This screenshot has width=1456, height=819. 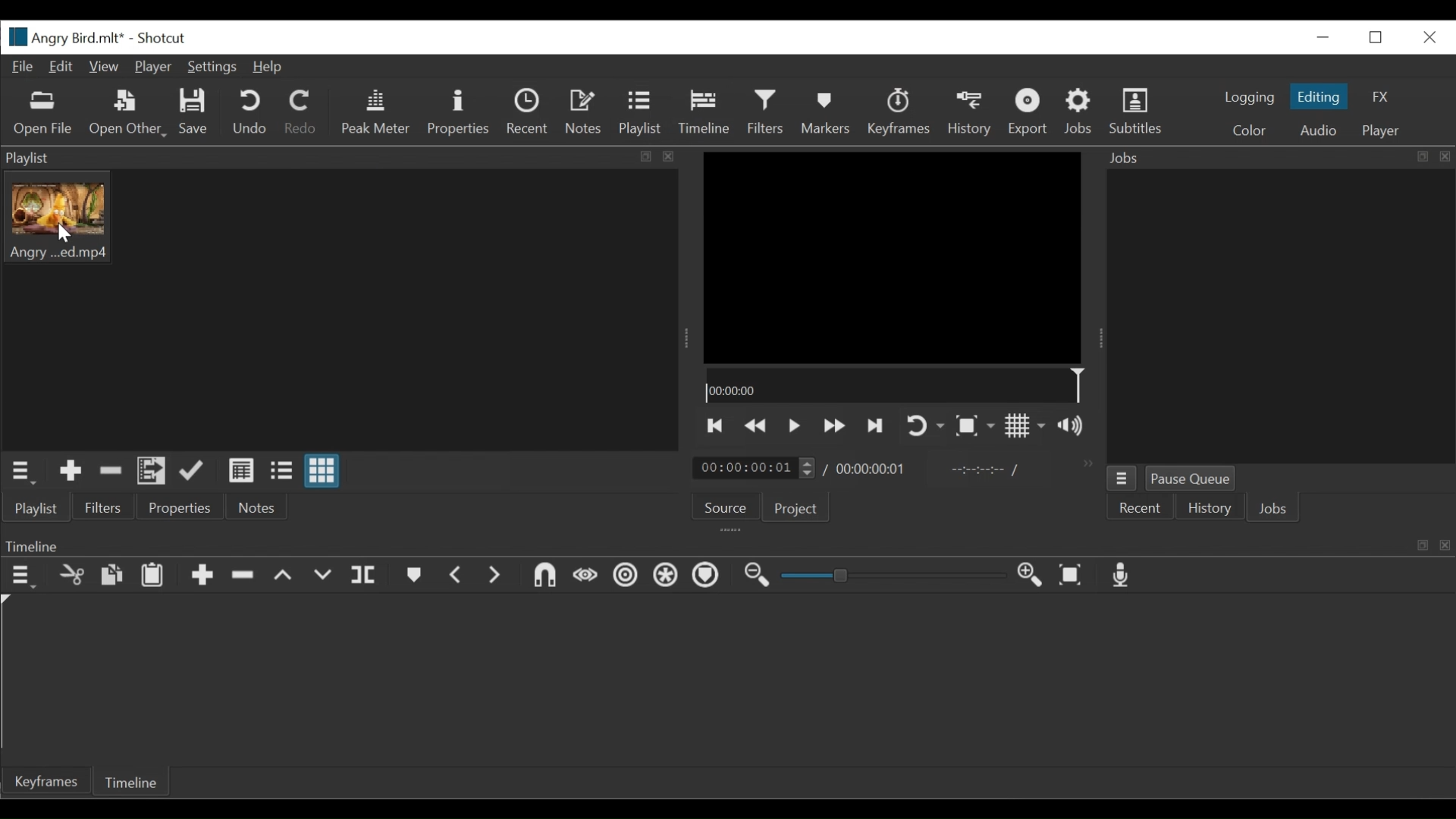 What do you see at coordinates (457, 576) in the screenshot?
I see `Previous marker` at bounding box center [457, 576].